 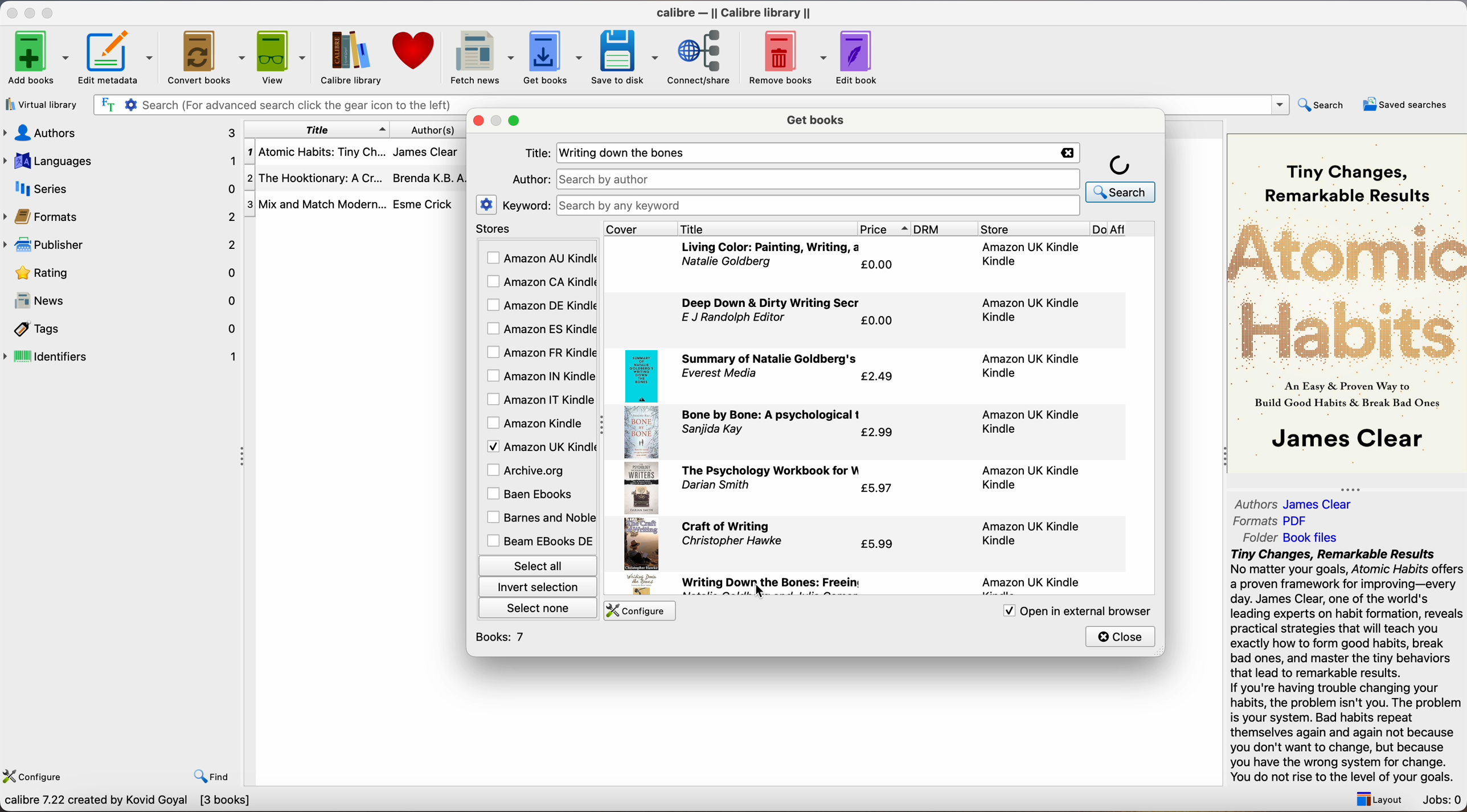 I want to click on amazon UK kindle, so click(x=1032, y=254).